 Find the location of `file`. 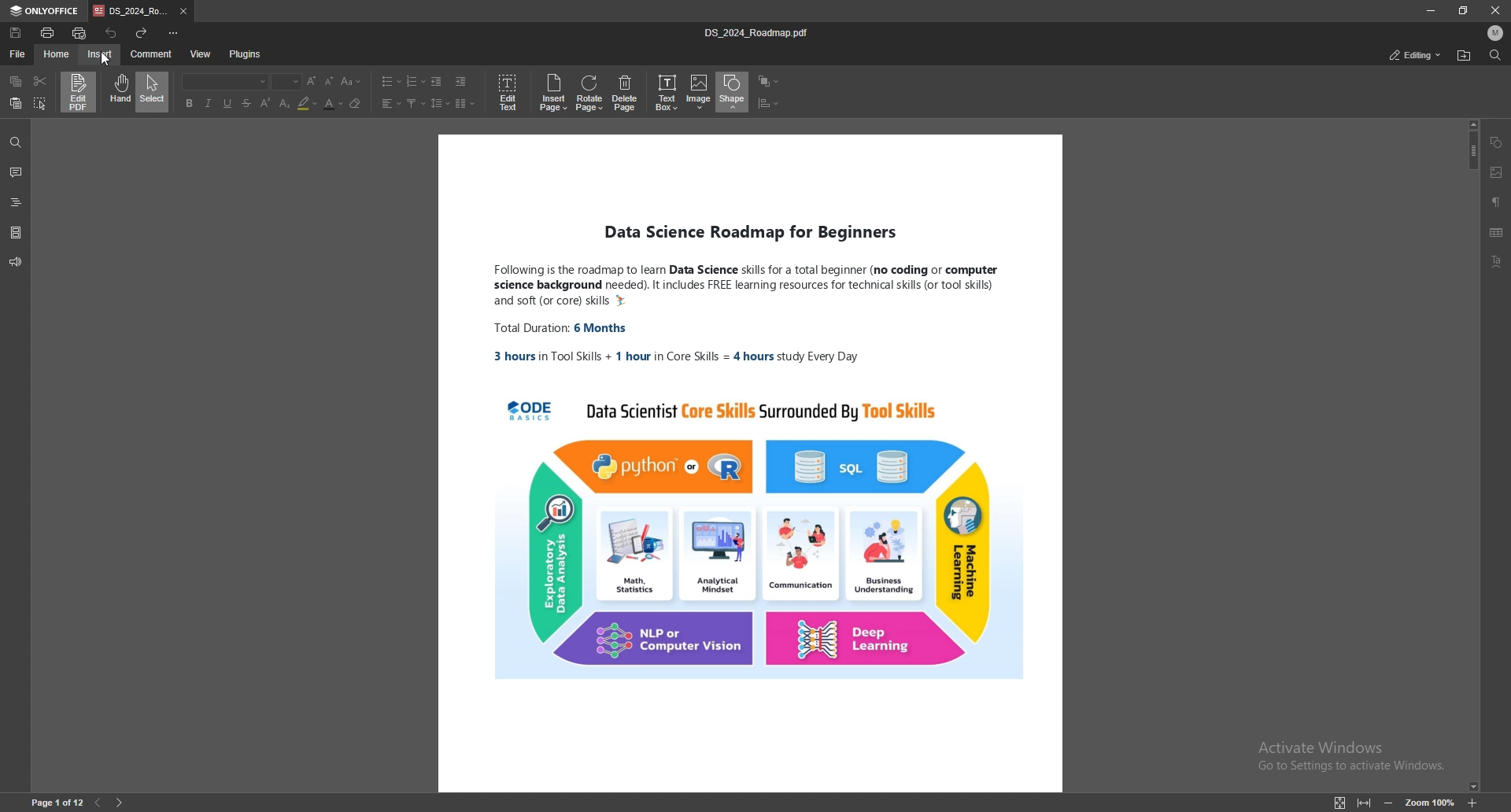

file is located at coordinates (18, 53).